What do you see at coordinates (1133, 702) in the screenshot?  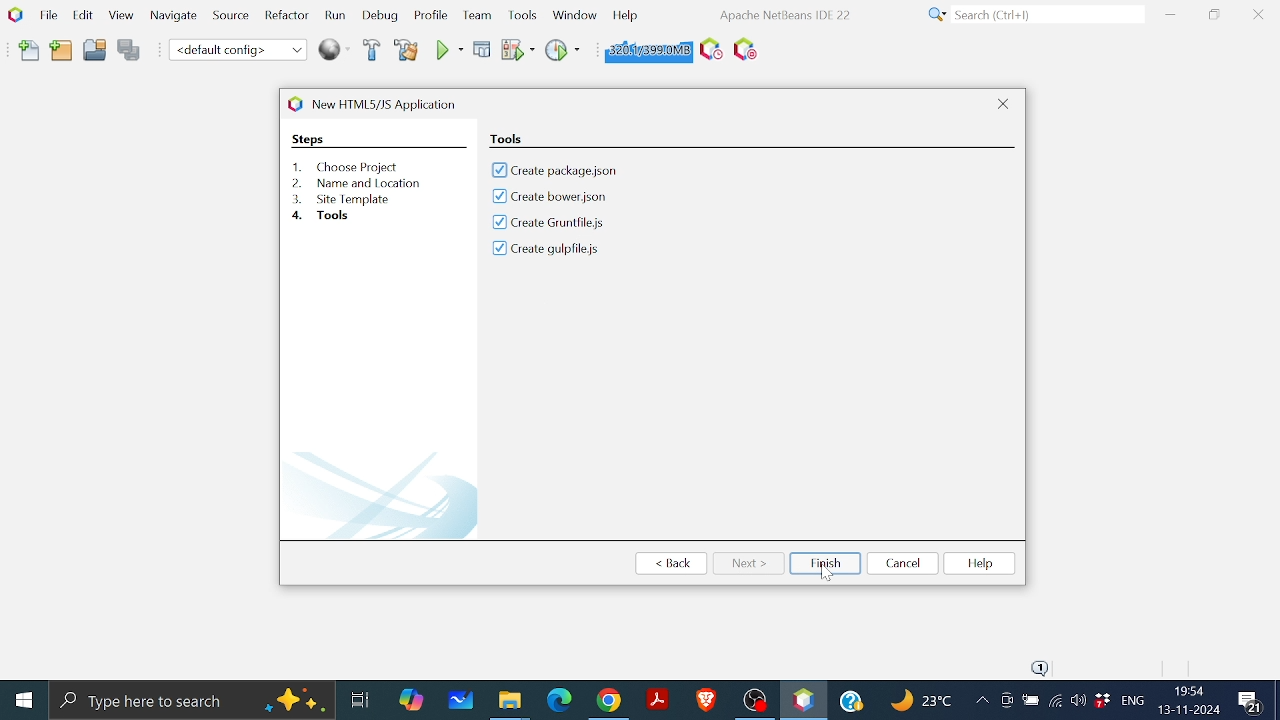 I see `languge` at bounding box center [1133, 702].